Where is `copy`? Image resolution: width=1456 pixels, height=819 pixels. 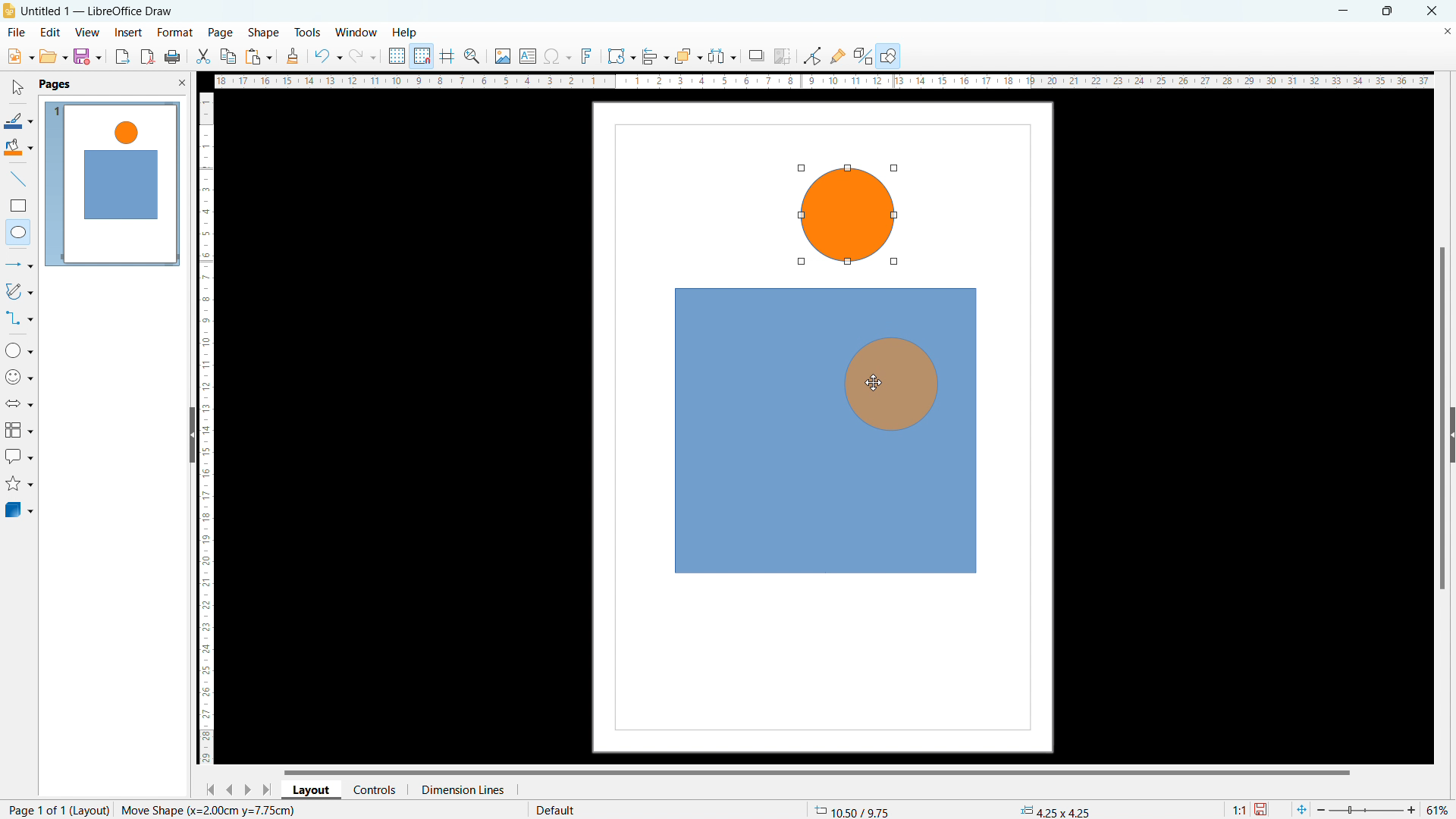 copy is located at coordinates (229, 56).